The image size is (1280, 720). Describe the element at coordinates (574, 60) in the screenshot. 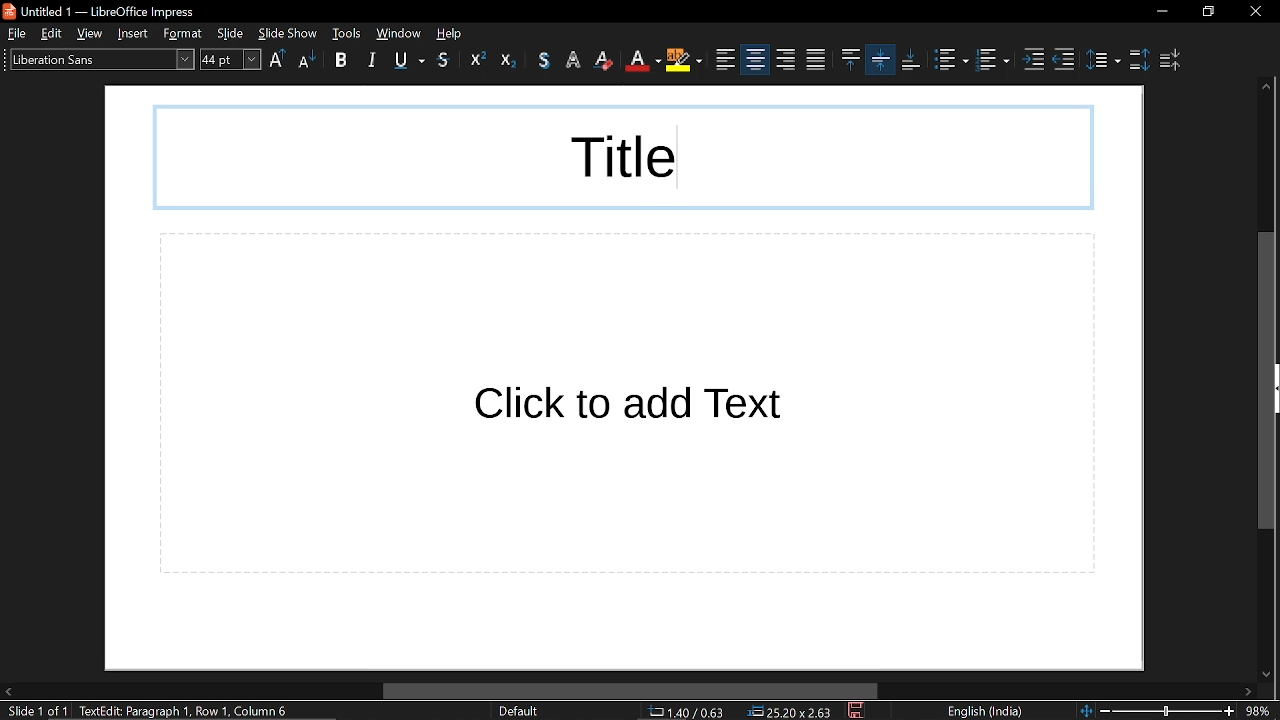

I see `erase` at that location.